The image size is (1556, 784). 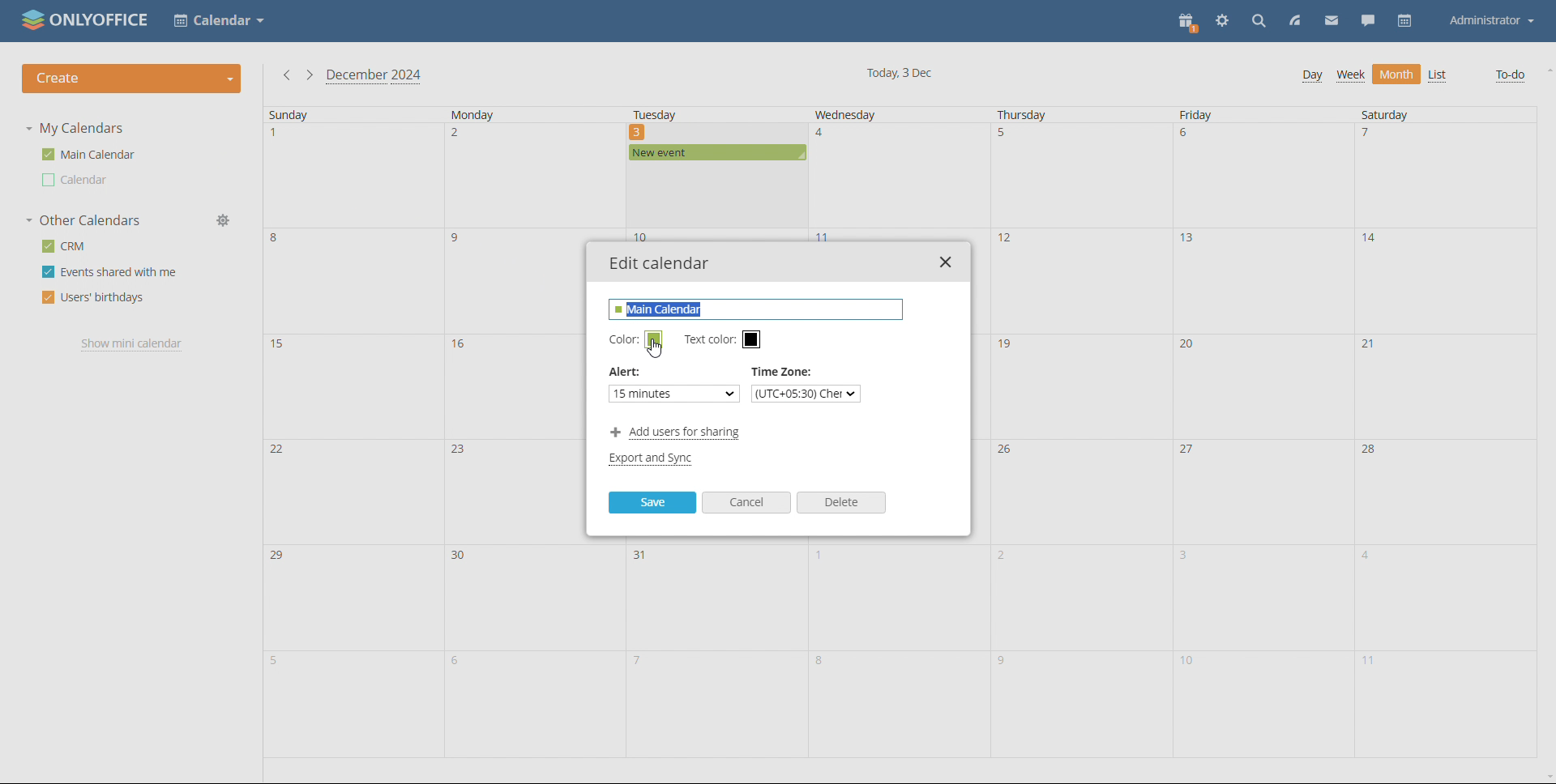 What do you see at coordinates (1396, 75) in the screenshot?
I see `month view` at bounding box center [1396, 75].